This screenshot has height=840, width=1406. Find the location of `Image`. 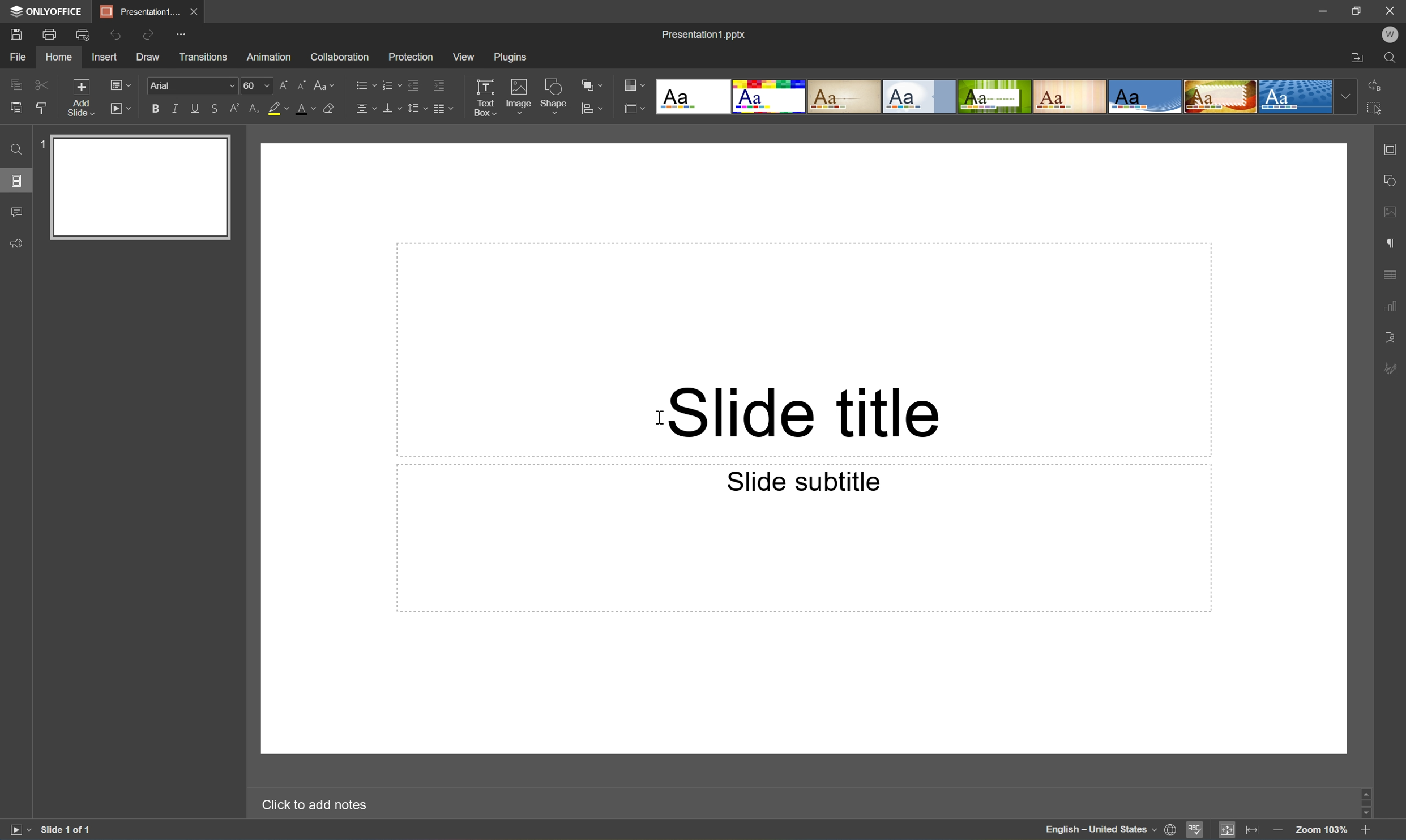

Image is located at coordinates (518, 96).